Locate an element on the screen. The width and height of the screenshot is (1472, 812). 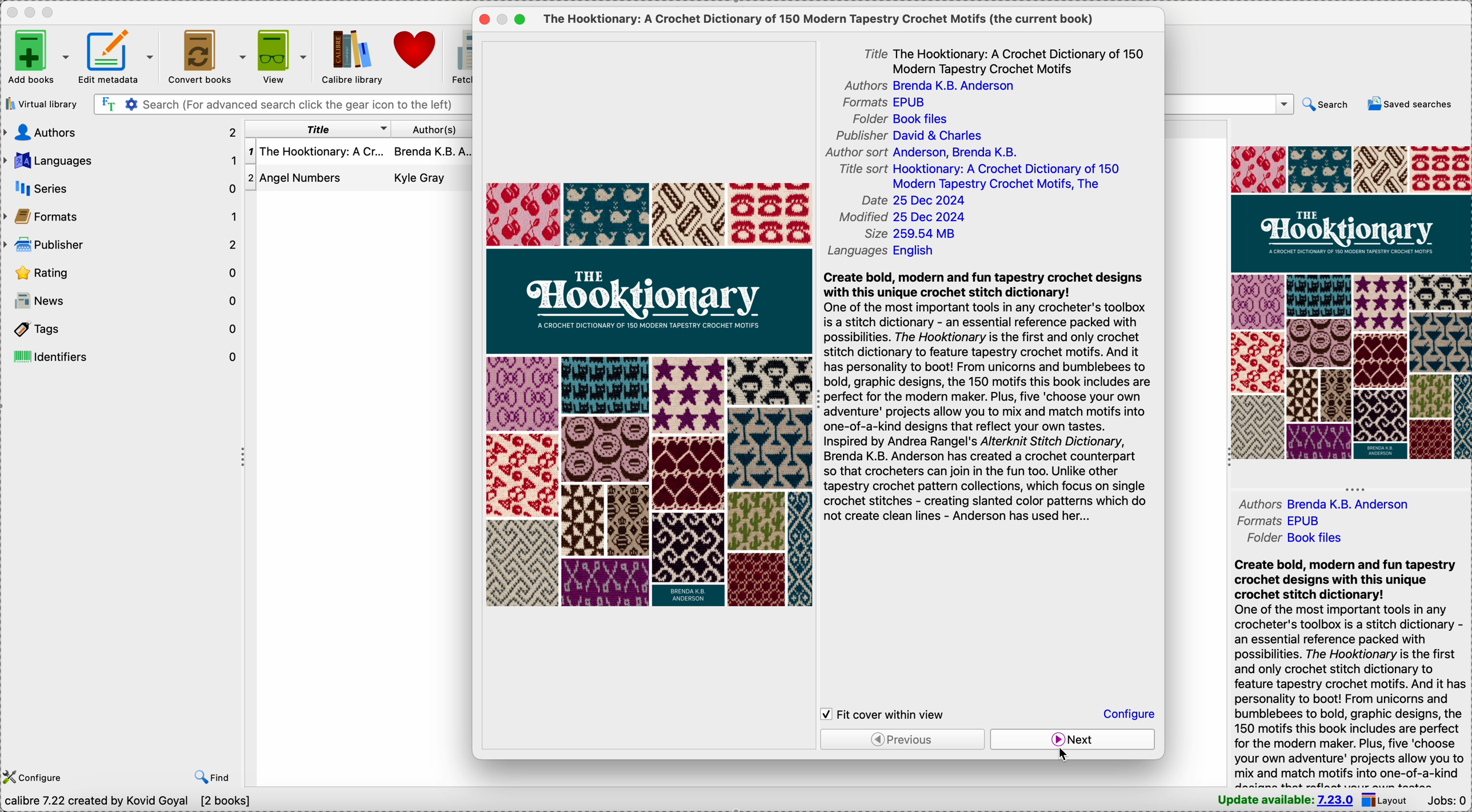
donate is located at coordinates (417, 49).